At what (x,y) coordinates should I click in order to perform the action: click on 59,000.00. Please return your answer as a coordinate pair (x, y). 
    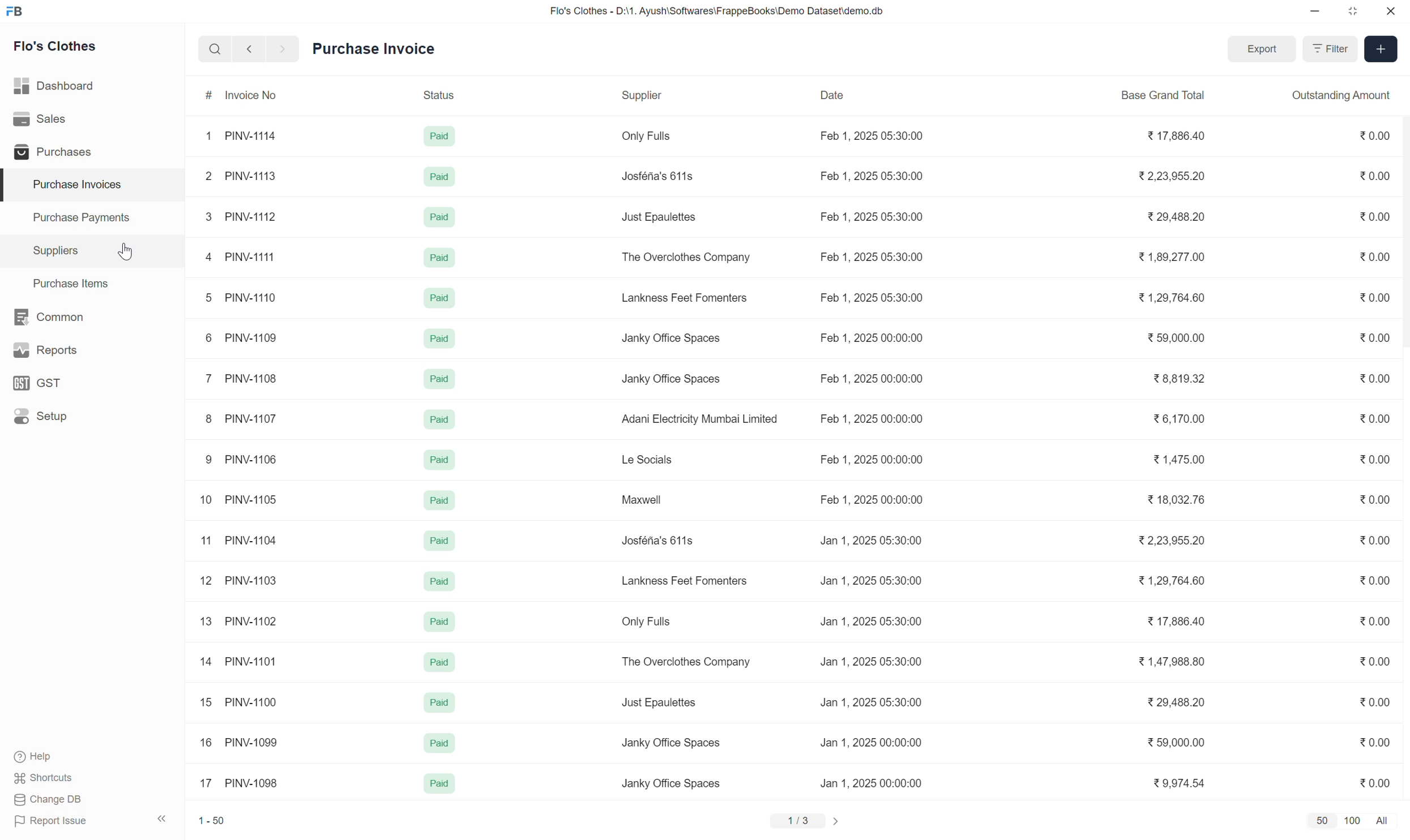
    Looking at the image, I should click on (1177, 337).